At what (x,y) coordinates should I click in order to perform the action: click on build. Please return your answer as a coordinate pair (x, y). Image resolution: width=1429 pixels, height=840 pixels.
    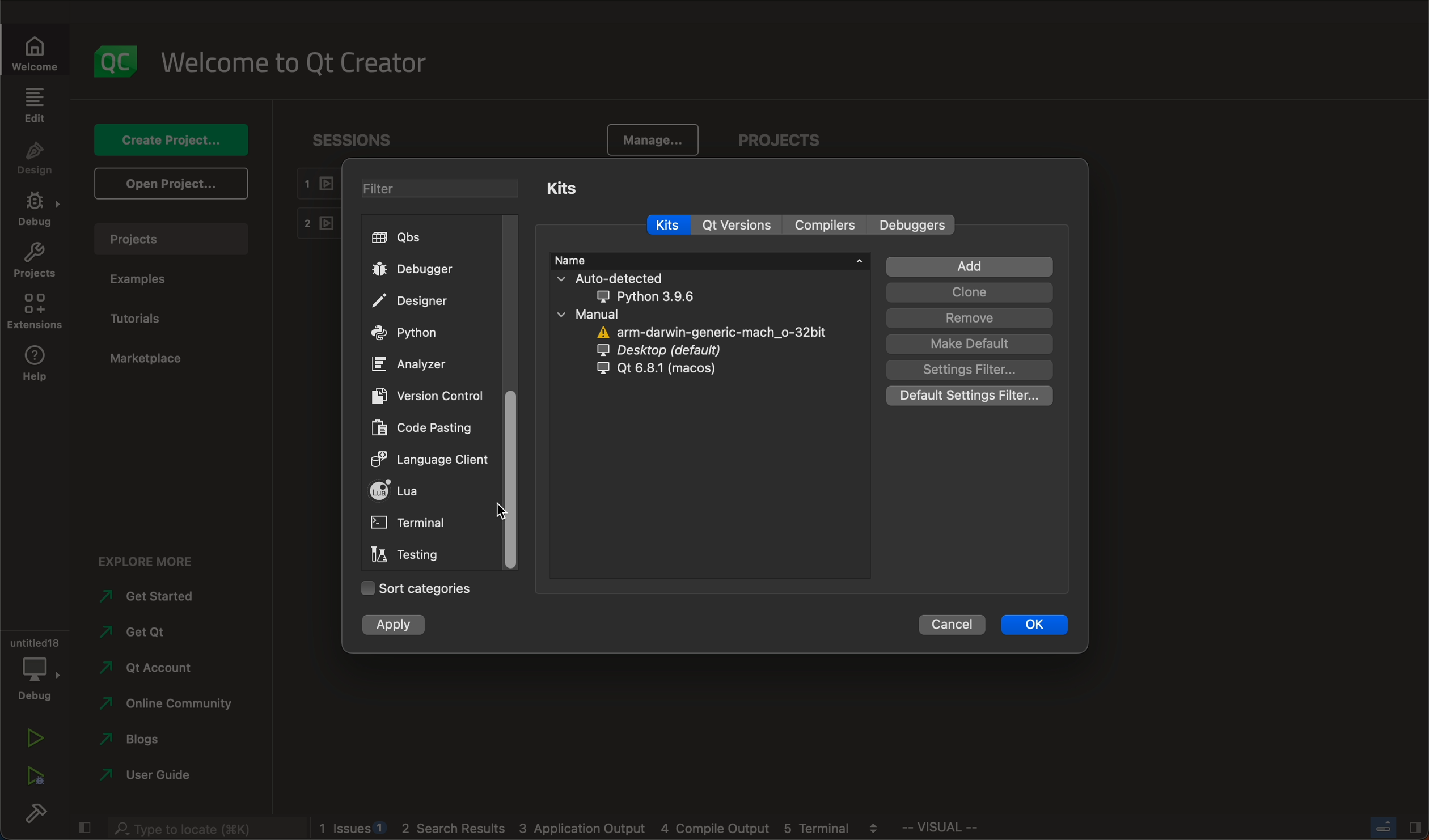
    Looking at the image, I should click on (32, 816).